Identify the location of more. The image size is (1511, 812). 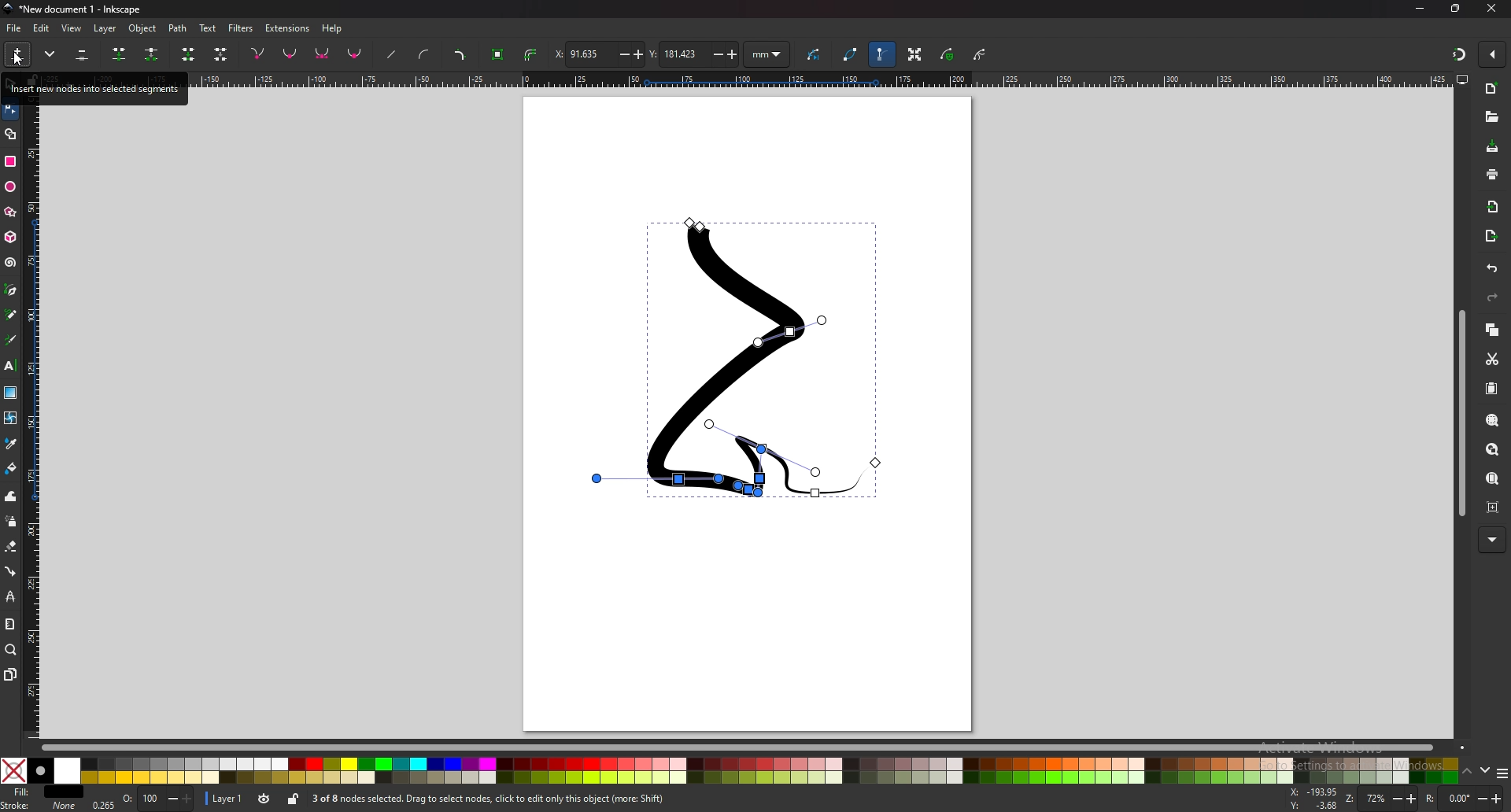
(1492, 540).